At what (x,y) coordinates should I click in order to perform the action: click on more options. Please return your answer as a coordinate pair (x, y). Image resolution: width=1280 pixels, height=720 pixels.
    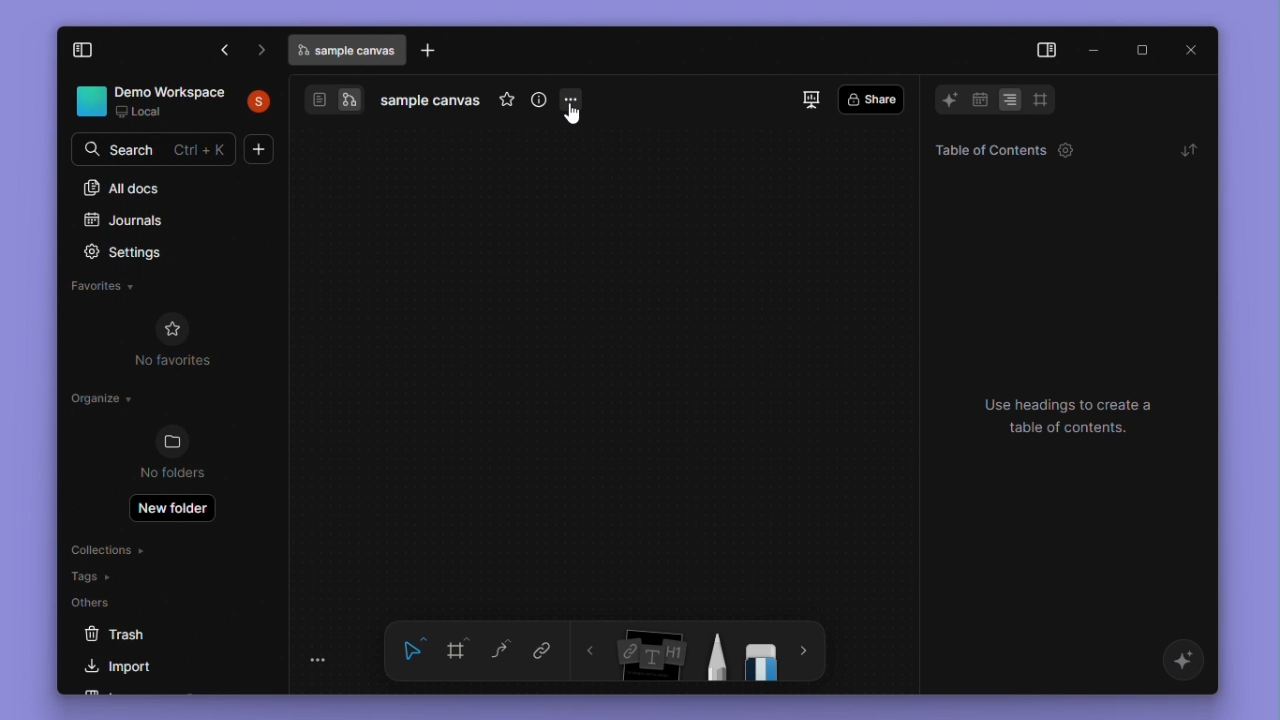
    Looking at the image, I should click on (324, 662).